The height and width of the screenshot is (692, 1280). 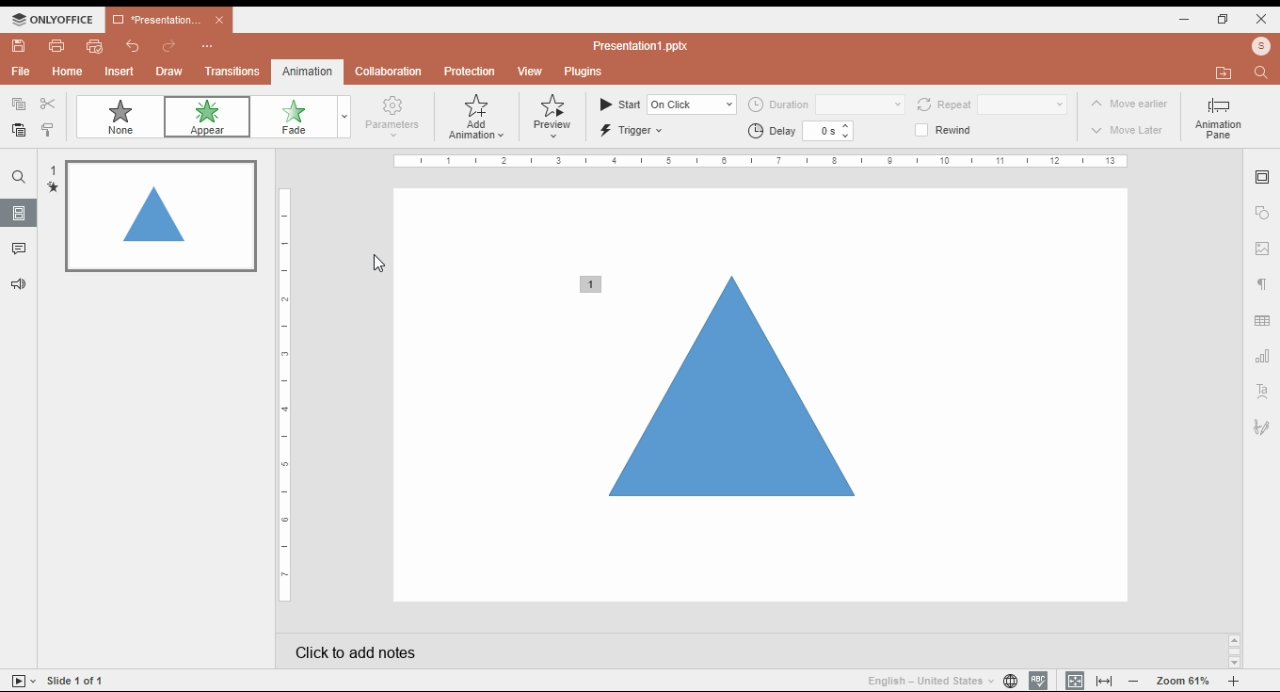 I want to click on parameters, so click(x=396, y=118).